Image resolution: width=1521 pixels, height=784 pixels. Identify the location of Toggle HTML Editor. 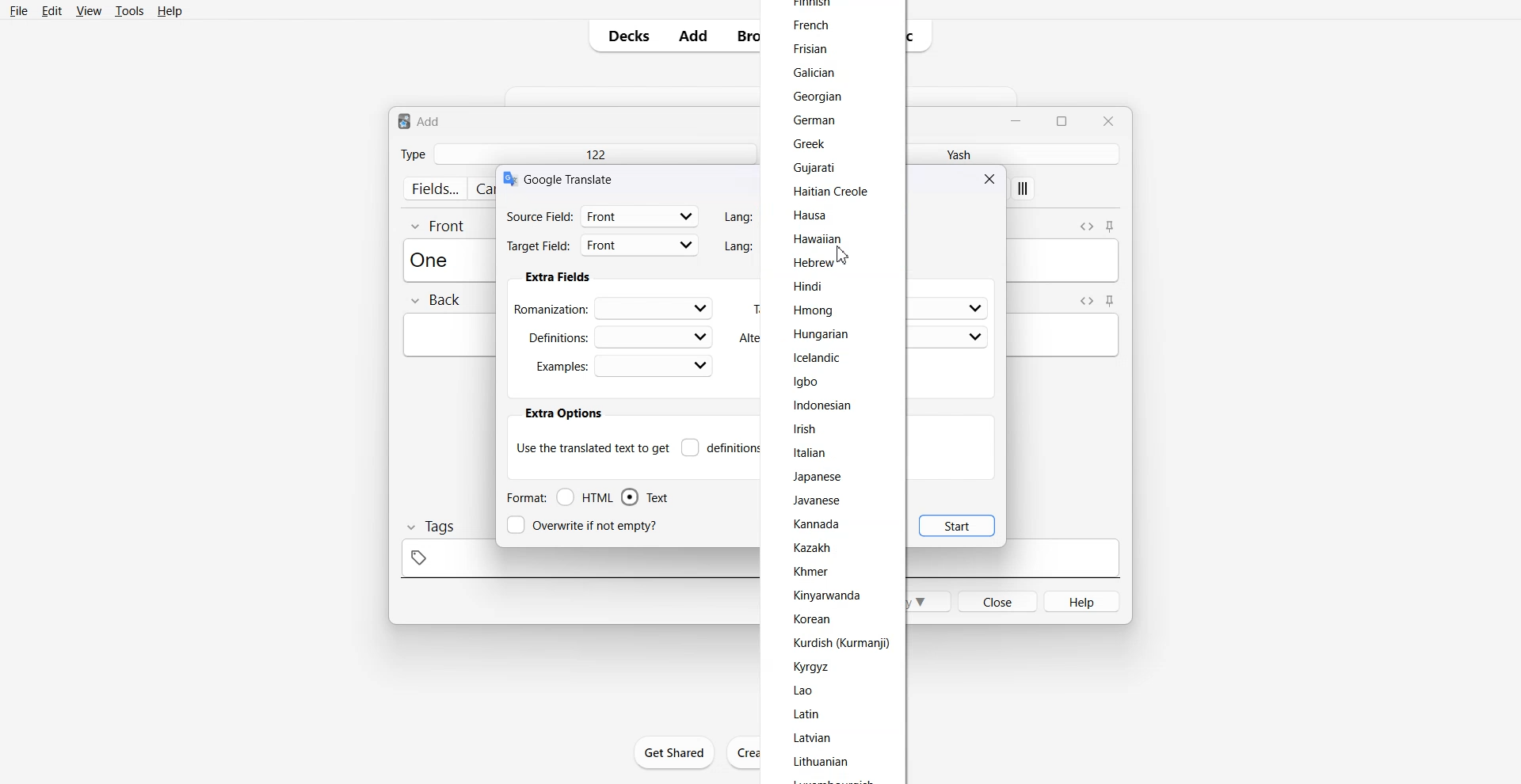
(1084, 300).